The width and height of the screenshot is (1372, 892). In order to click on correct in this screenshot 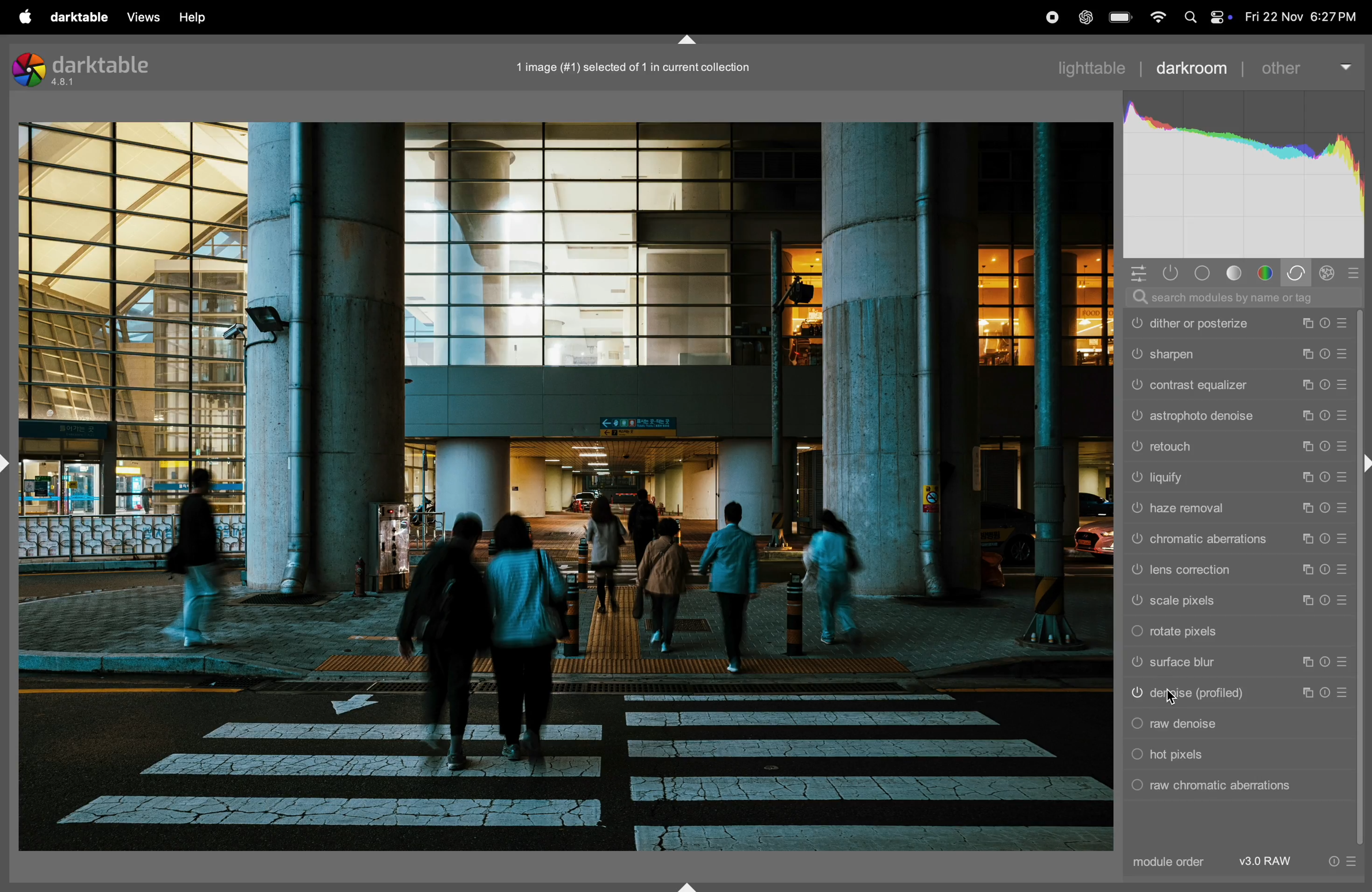, I will do `click(1299, 273)`.